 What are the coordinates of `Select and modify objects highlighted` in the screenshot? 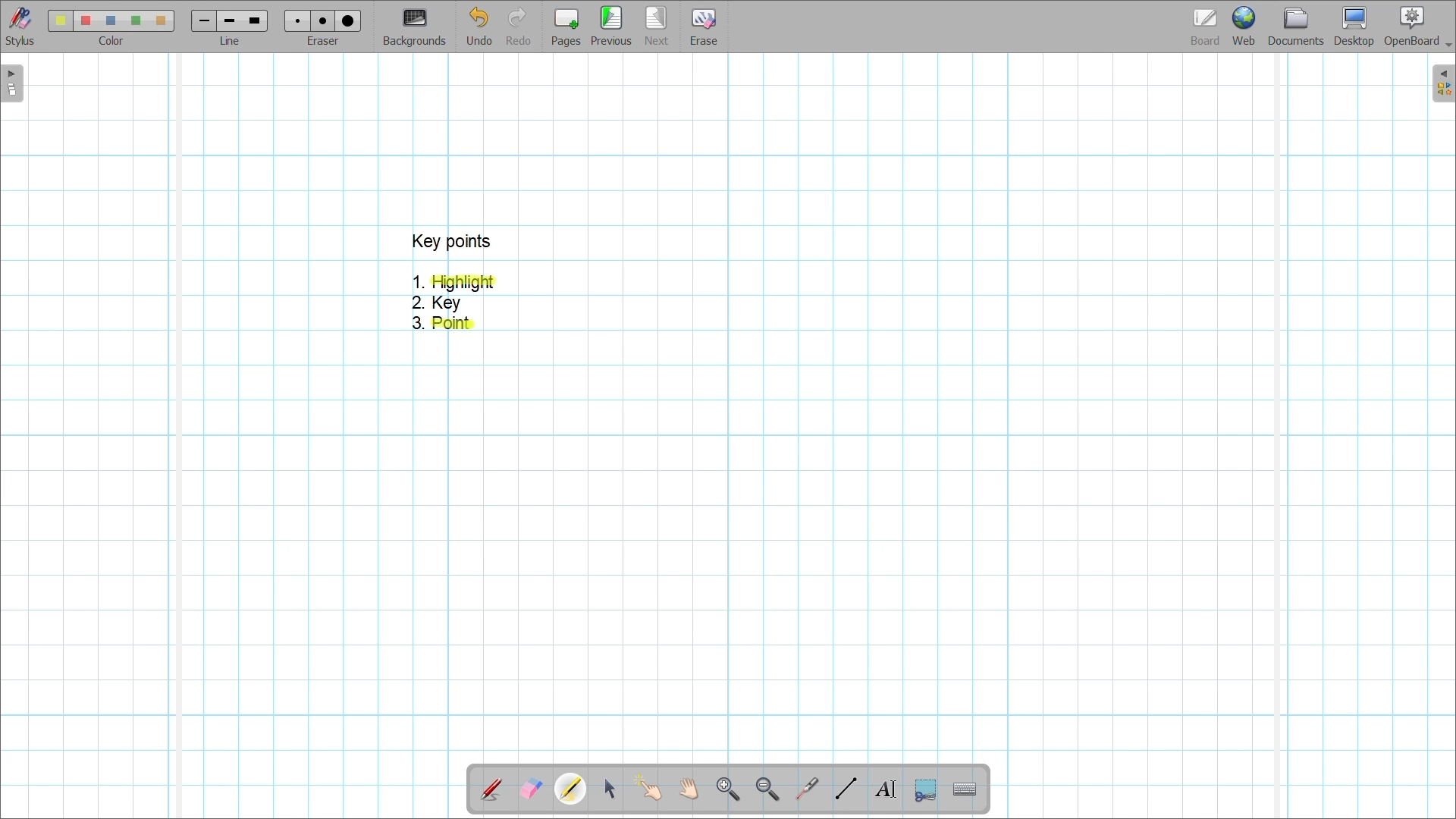 It's located at (609, 789).